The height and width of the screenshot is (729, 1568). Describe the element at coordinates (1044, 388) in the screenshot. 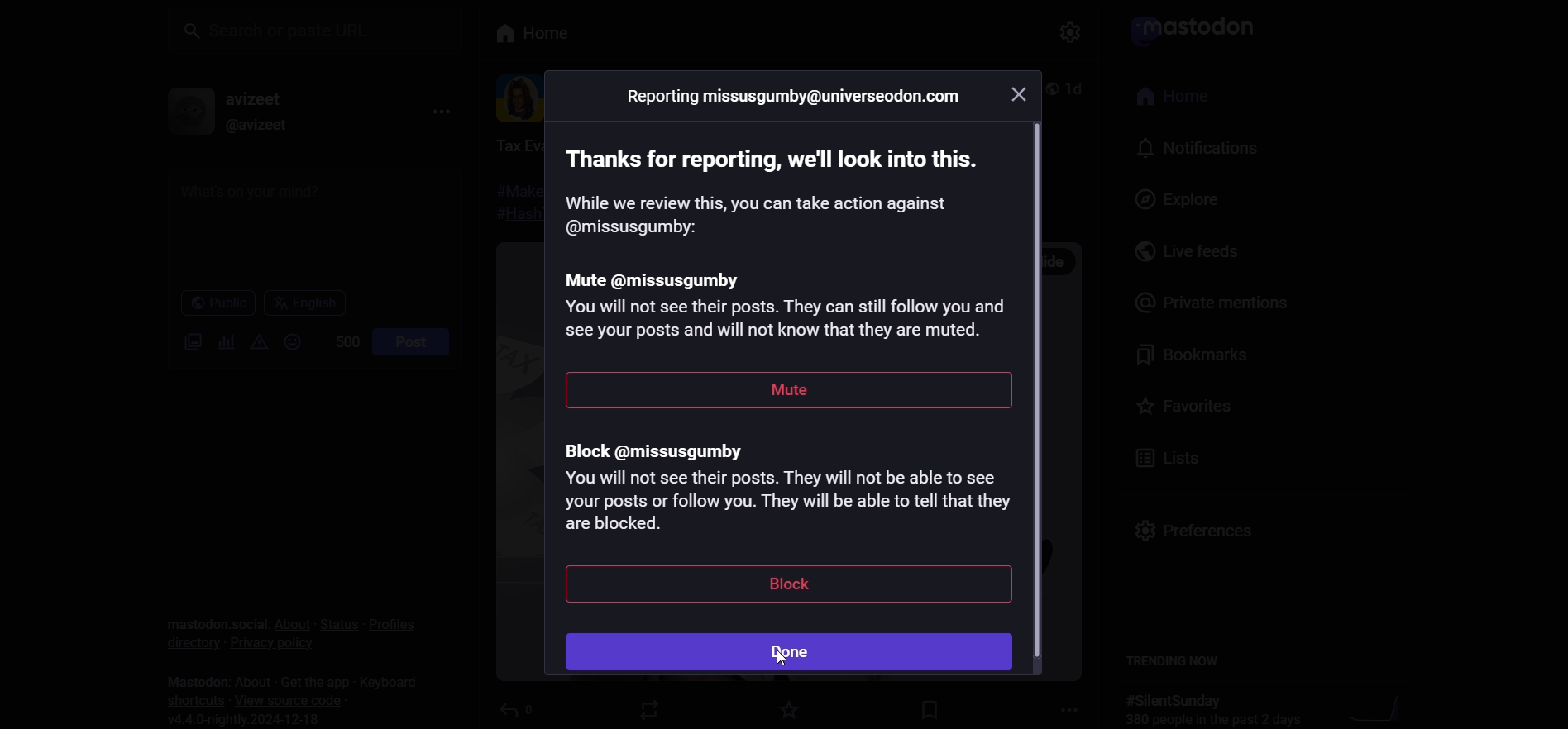

I see `scroll bar` at that location.